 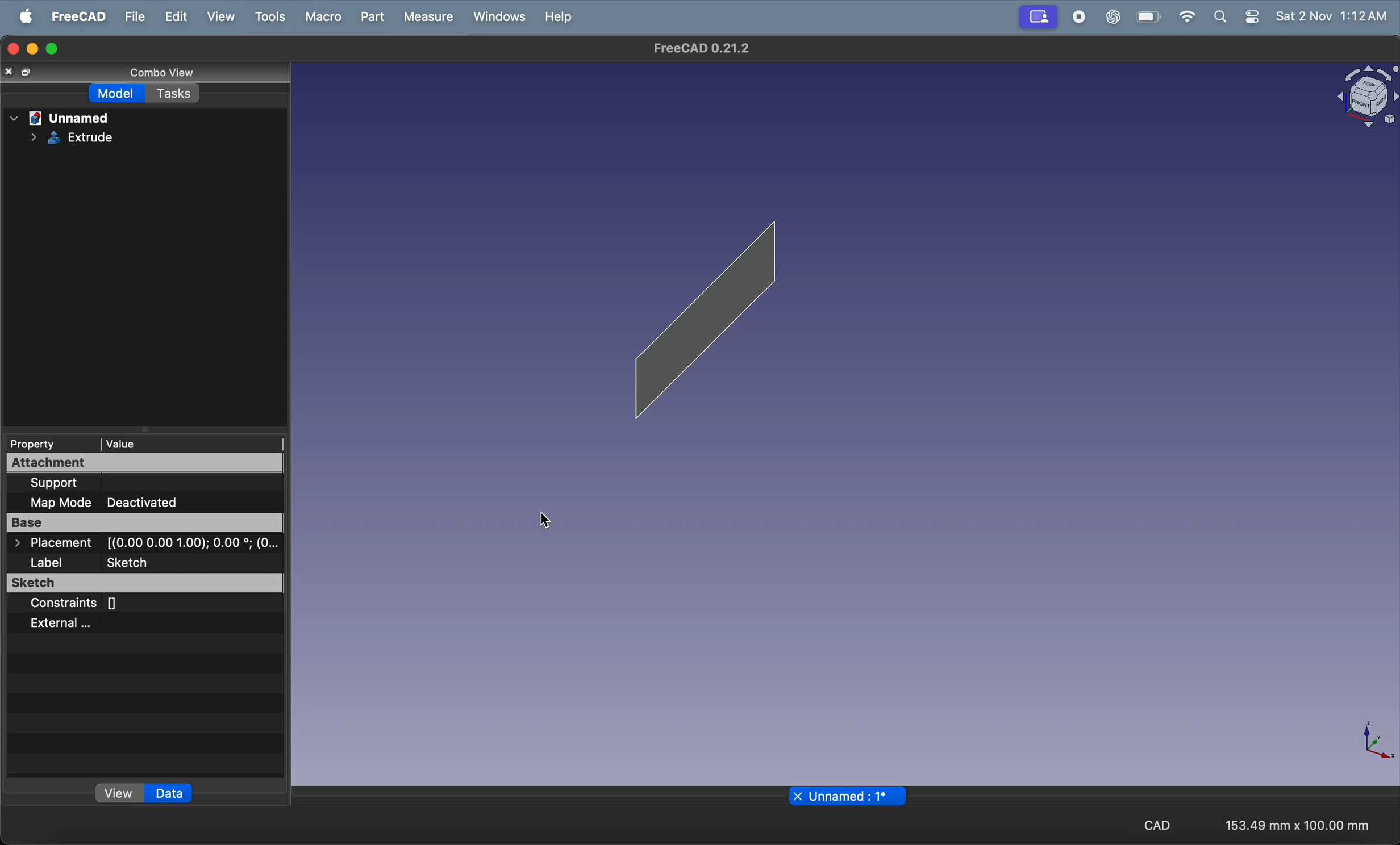 I want to click on label, so click(x=46, y=562).